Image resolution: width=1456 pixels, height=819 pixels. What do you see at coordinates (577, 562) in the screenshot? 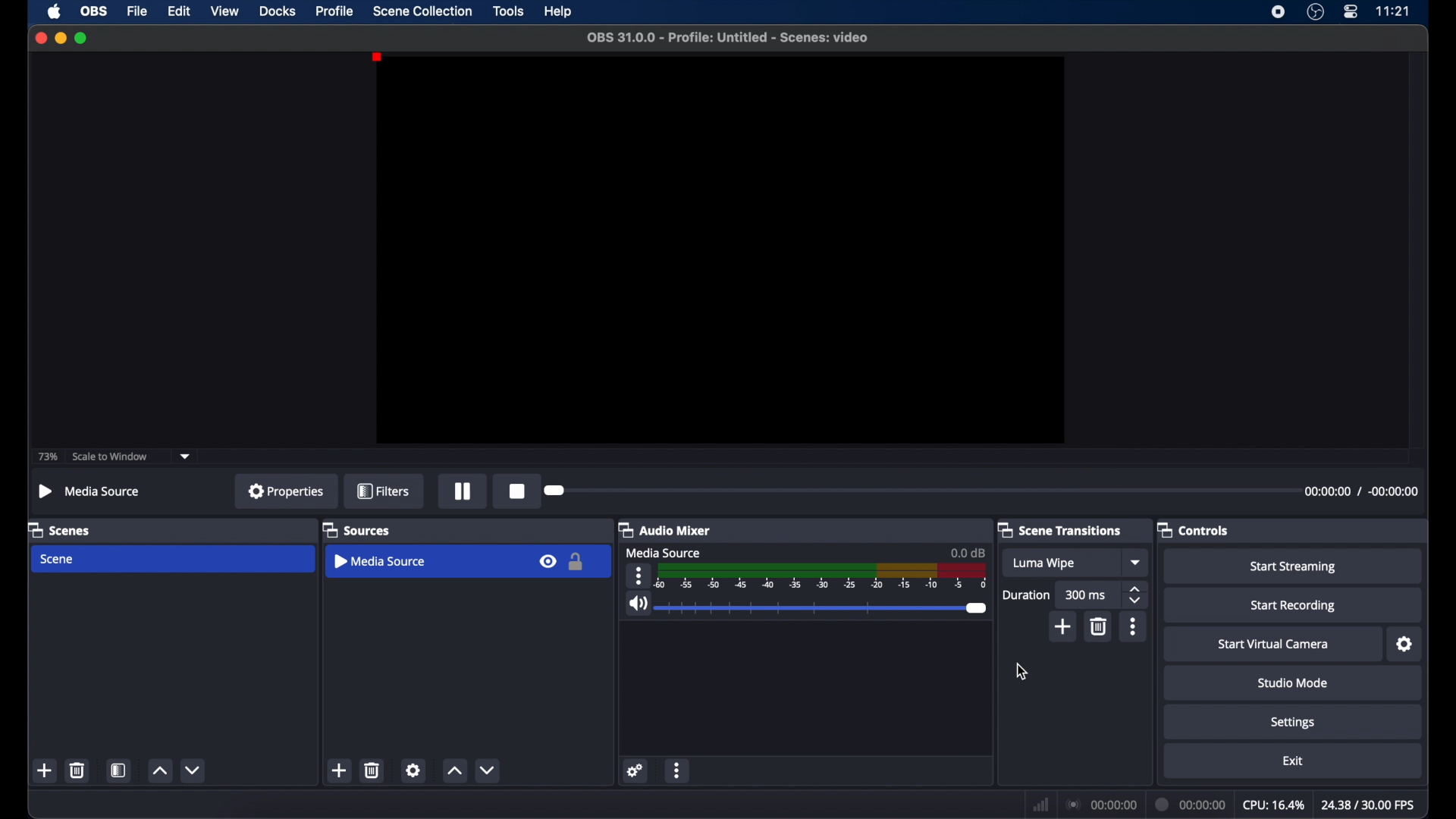
I see `lock` at bounding box center [577, 562].